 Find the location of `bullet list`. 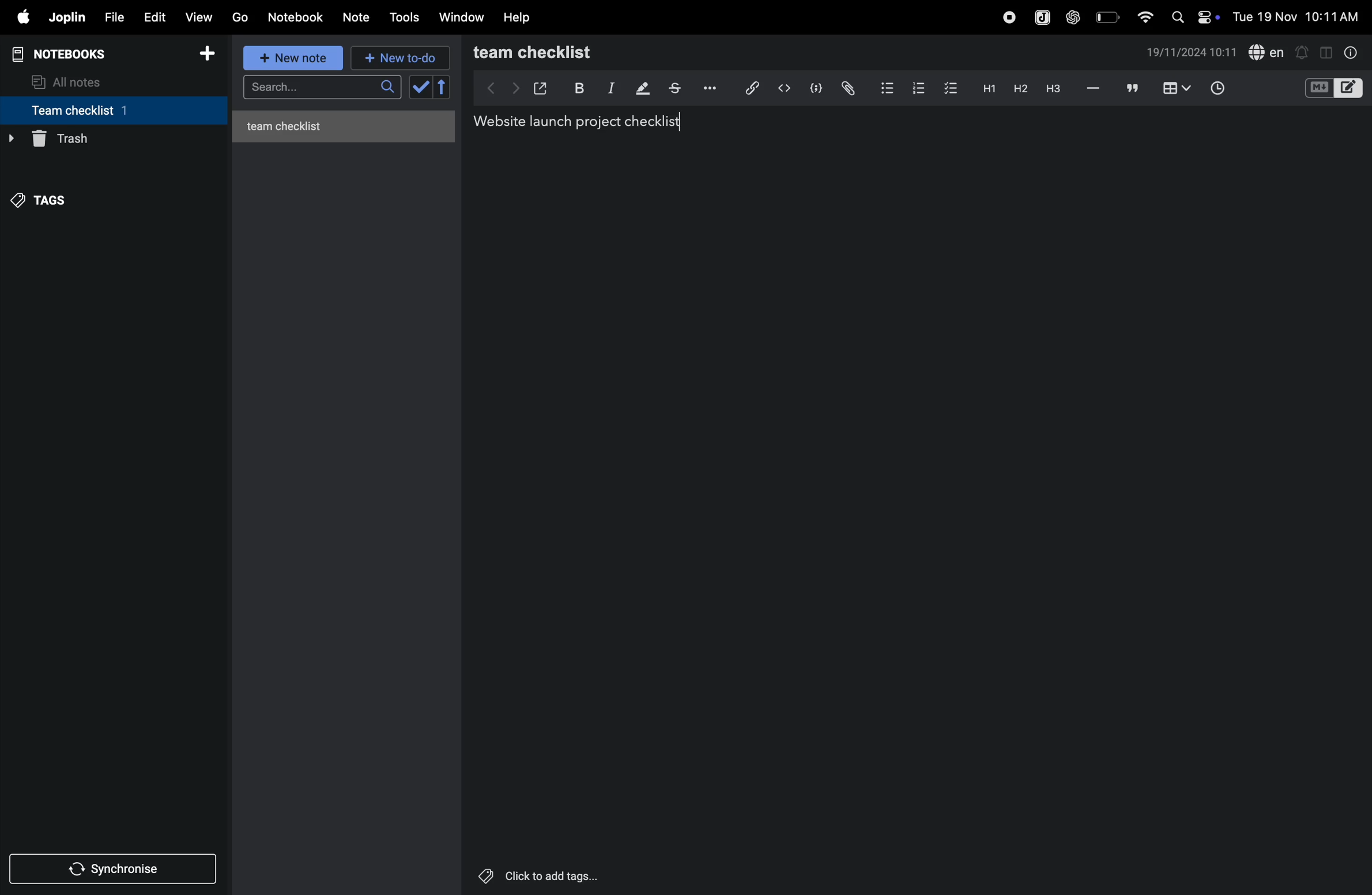

bullet list is located at coordinates (884, 88).